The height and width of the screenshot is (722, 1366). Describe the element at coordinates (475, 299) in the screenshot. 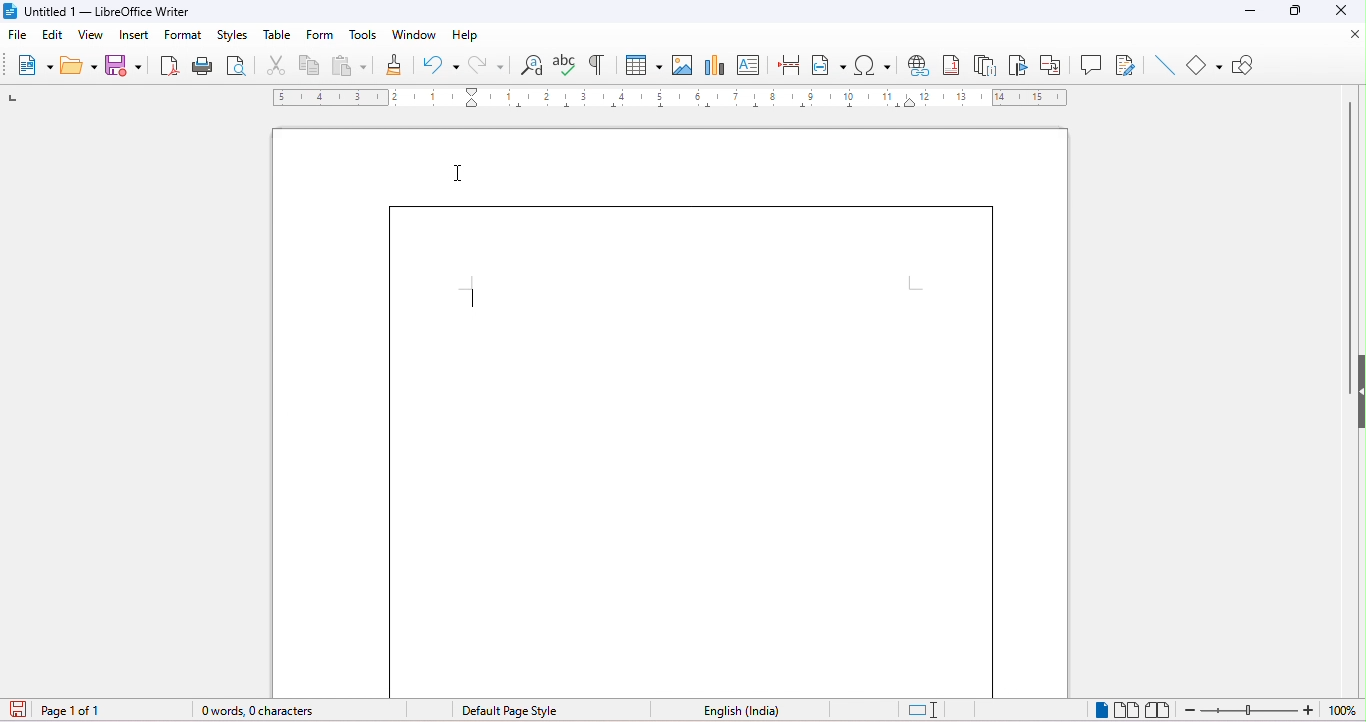

I see `typing cursor` at that location.